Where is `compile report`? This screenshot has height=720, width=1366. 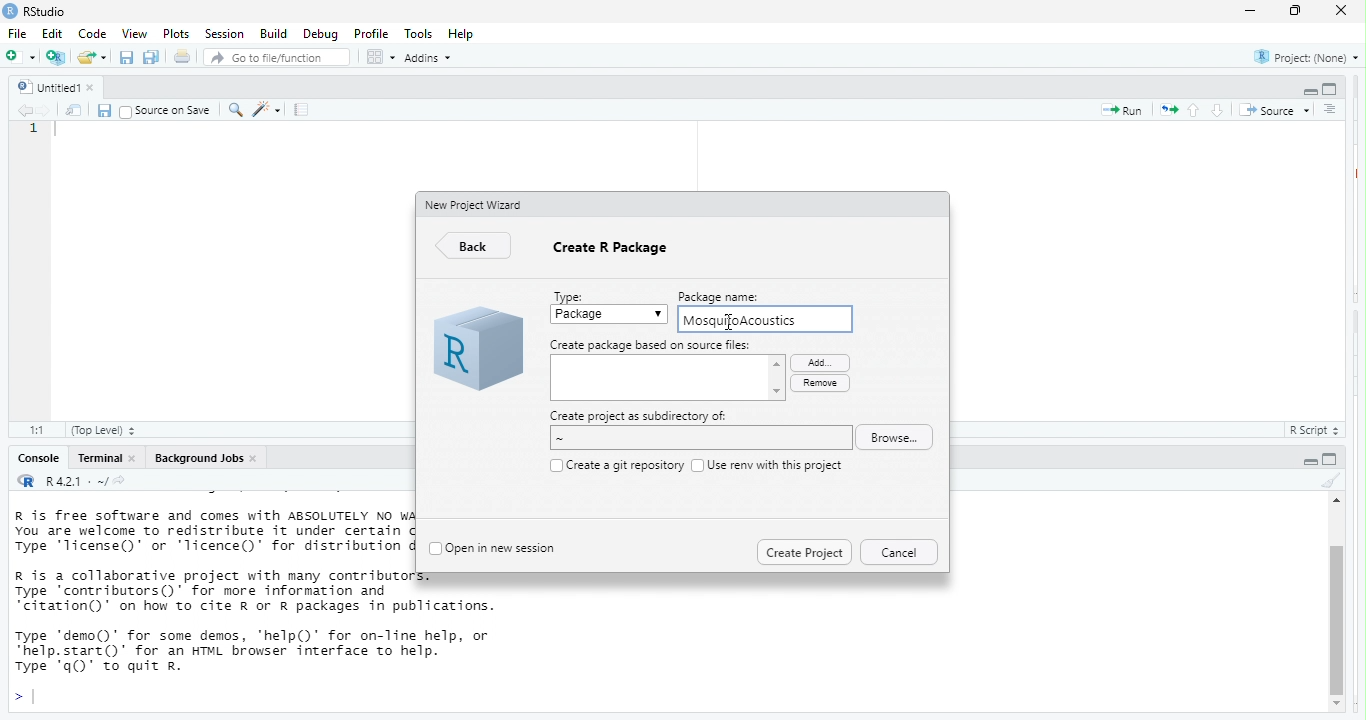 compile report is located at coordinates (304, 111).